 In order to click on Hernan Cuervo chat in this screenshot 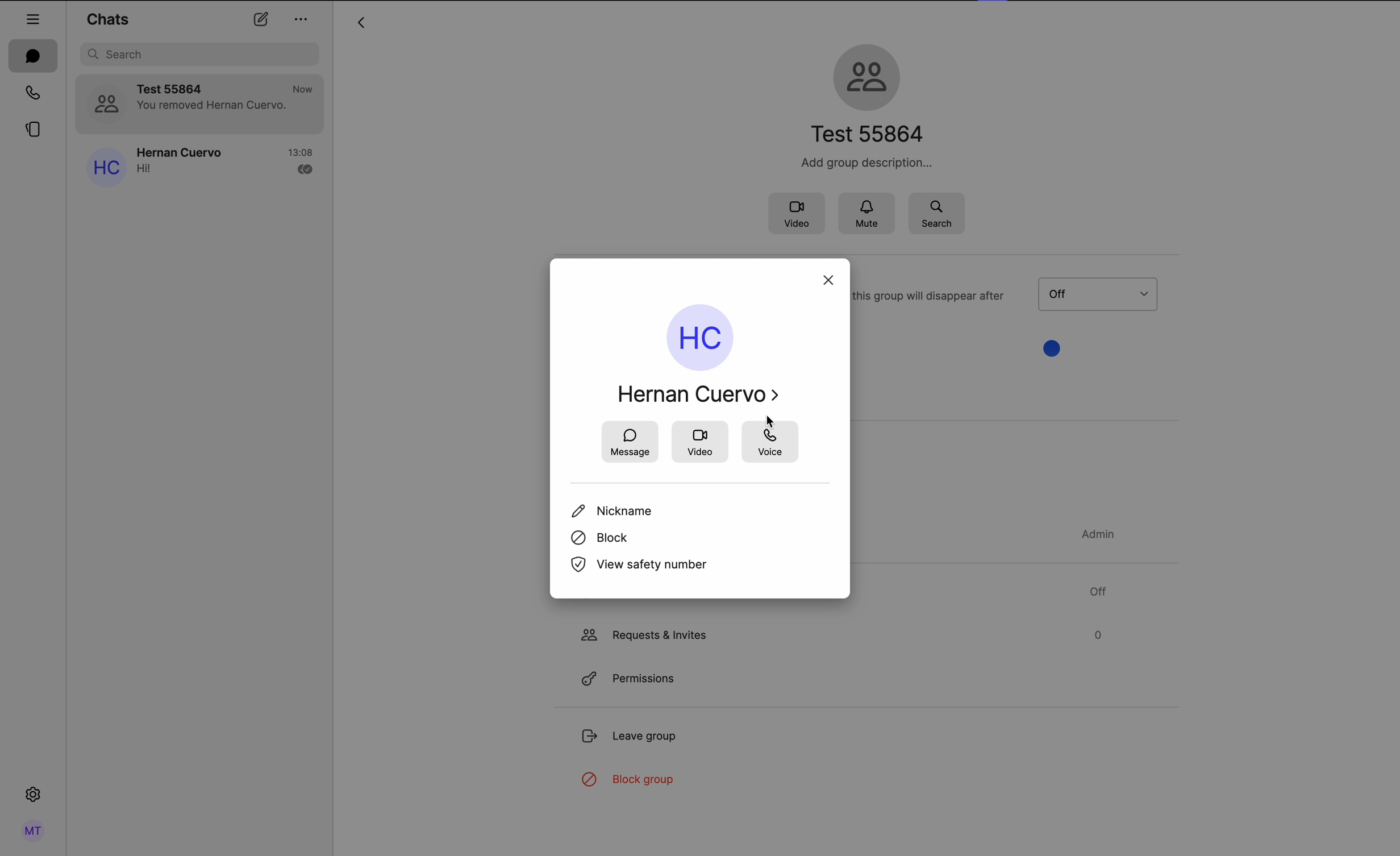, I will do `click(198, 165)`.